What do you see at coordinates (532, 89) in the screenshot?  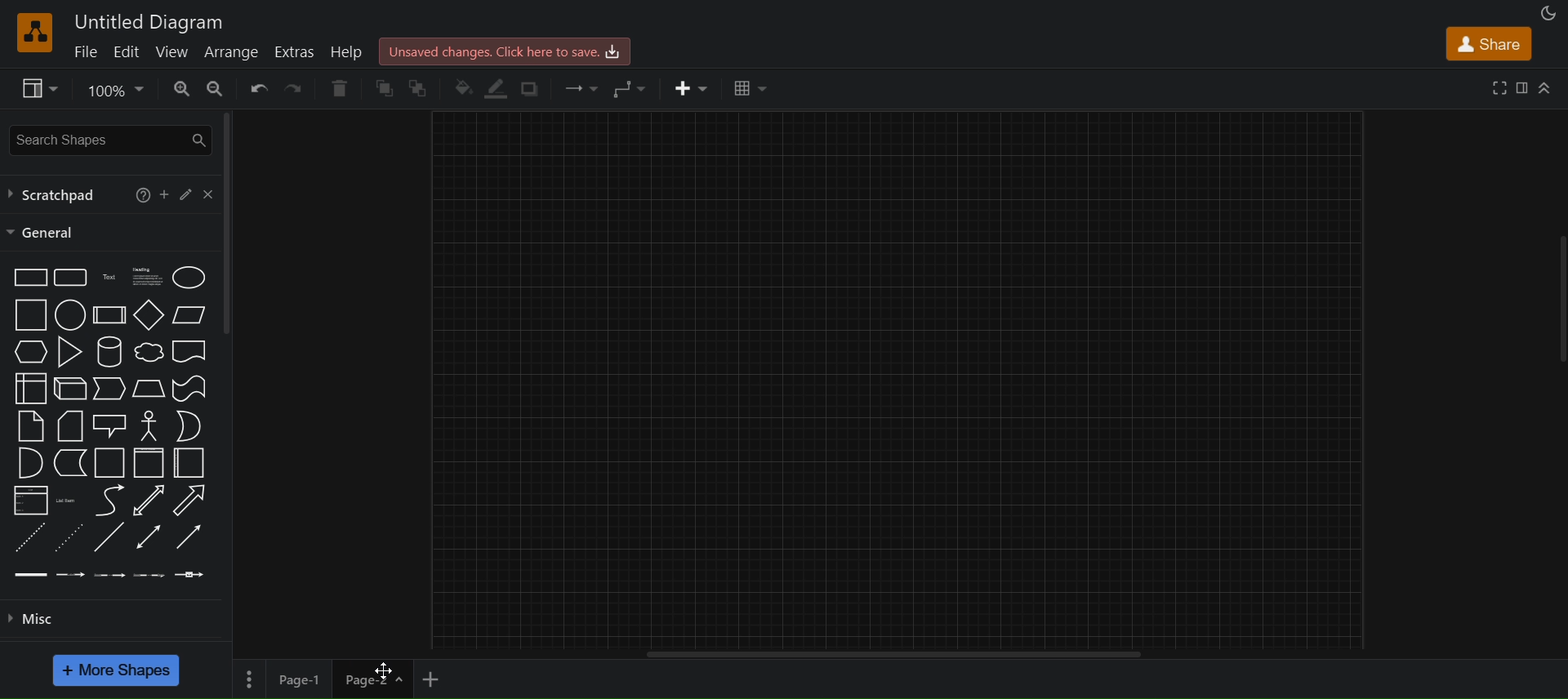 I see `shadow` at bounding box center [532, 89].